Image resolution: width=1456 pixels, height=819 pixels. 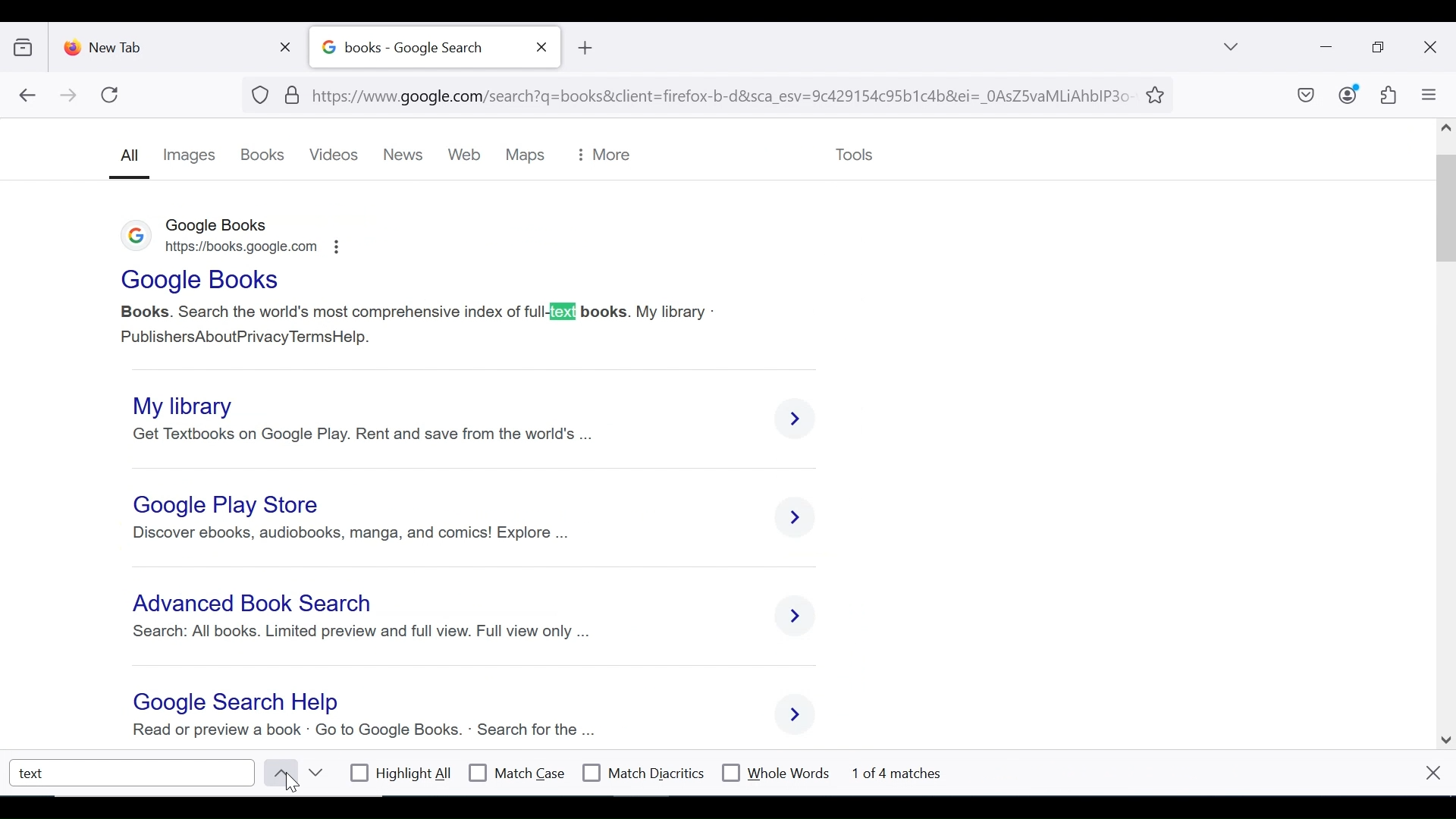 I want to click on get the textbooks on Google Play. Rent and save from the world's finest, so click(x=372, y=434).